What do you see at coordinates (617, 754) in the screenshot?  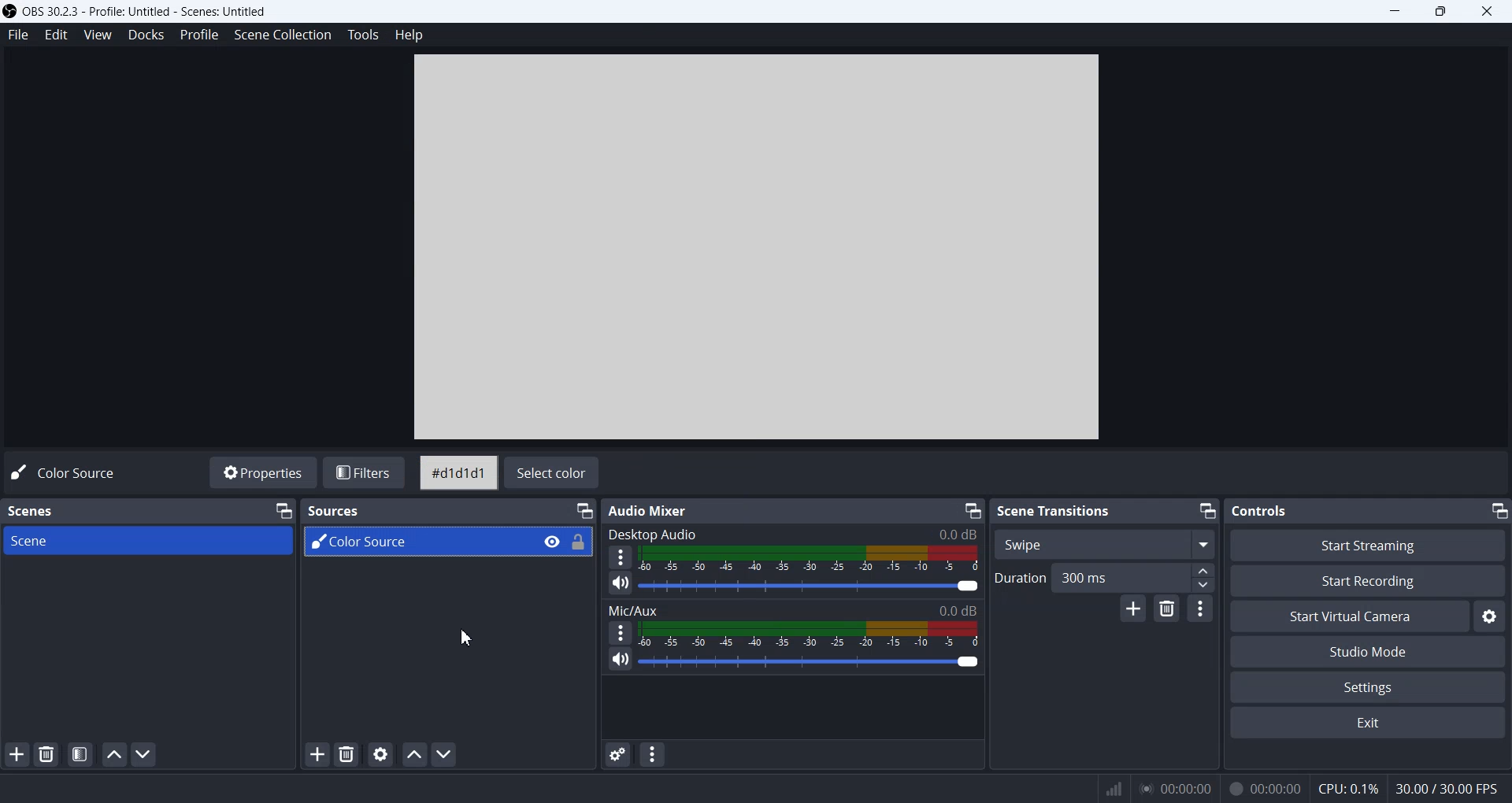 I see `Advance Audio Properties` at bounding box center [617, 754].